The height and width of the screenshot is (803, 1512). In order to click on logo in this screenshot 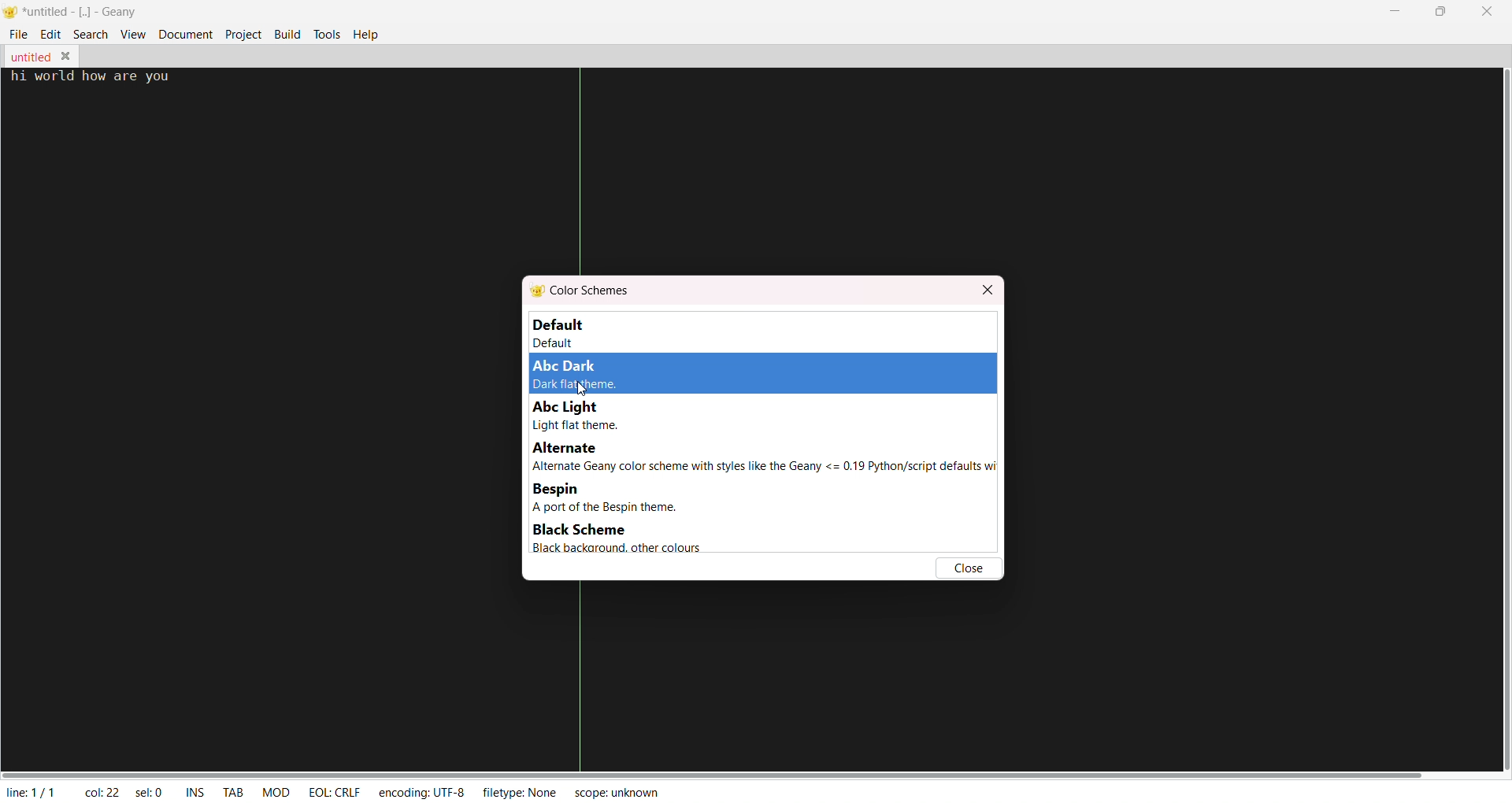, I will do `click(12, 12)`.